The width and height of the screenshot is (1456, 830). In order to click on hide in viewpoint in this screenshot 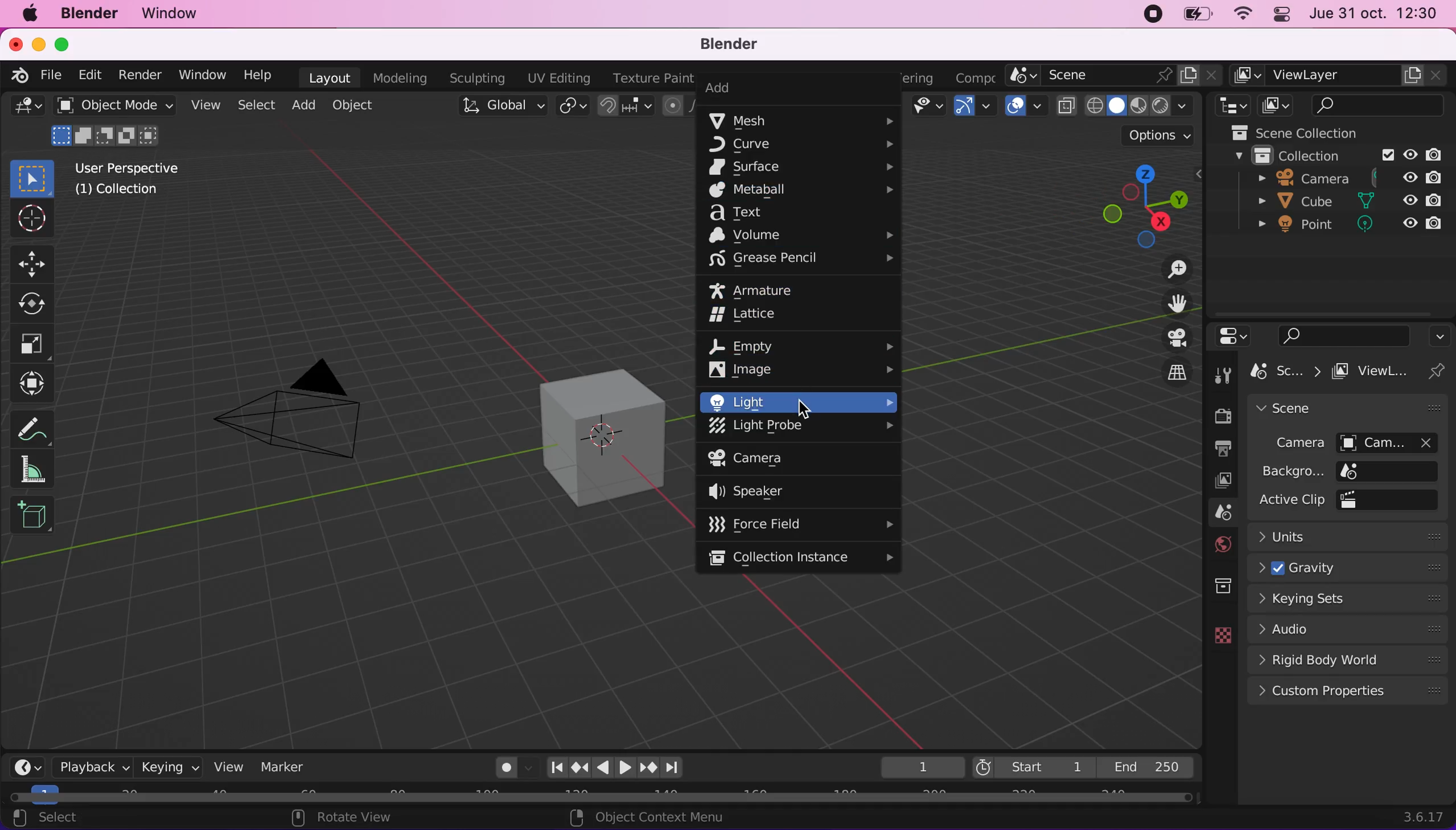, I will do `click(1413, 177)`.